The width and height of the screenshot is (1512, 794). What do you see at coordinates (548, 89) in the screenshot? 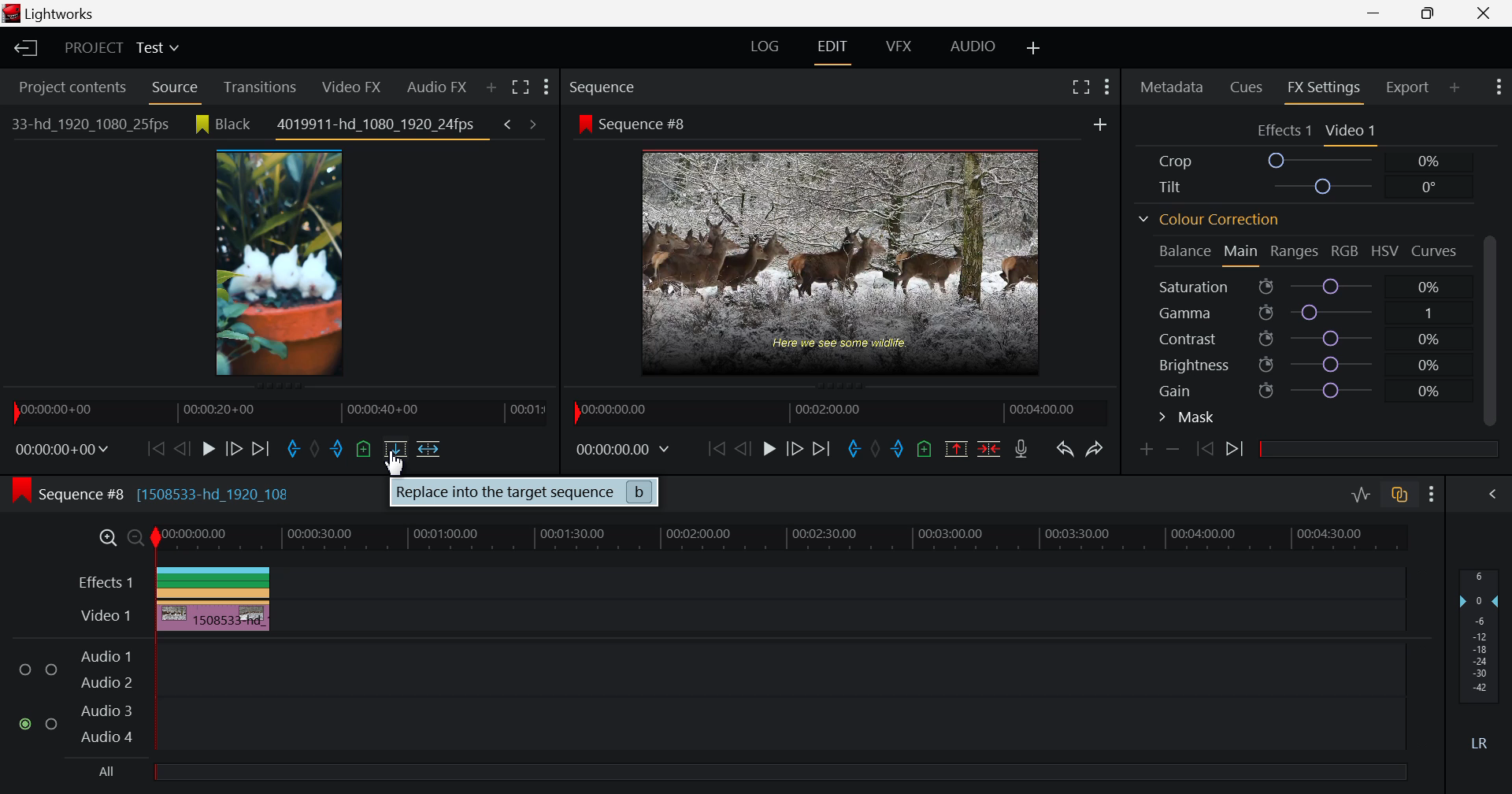
I see `Show Settings` at bounding box center [548, 89].